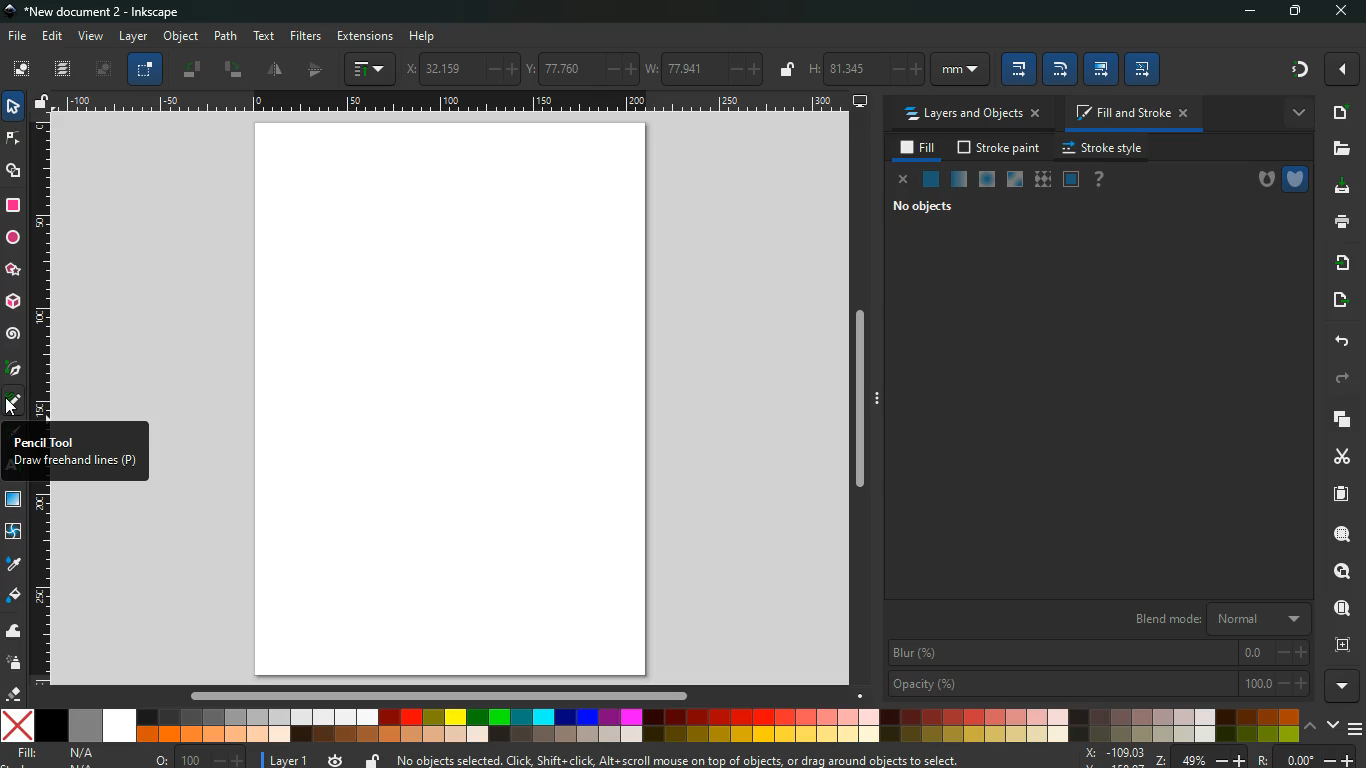  I want to click on forward, so click(1344, 379).